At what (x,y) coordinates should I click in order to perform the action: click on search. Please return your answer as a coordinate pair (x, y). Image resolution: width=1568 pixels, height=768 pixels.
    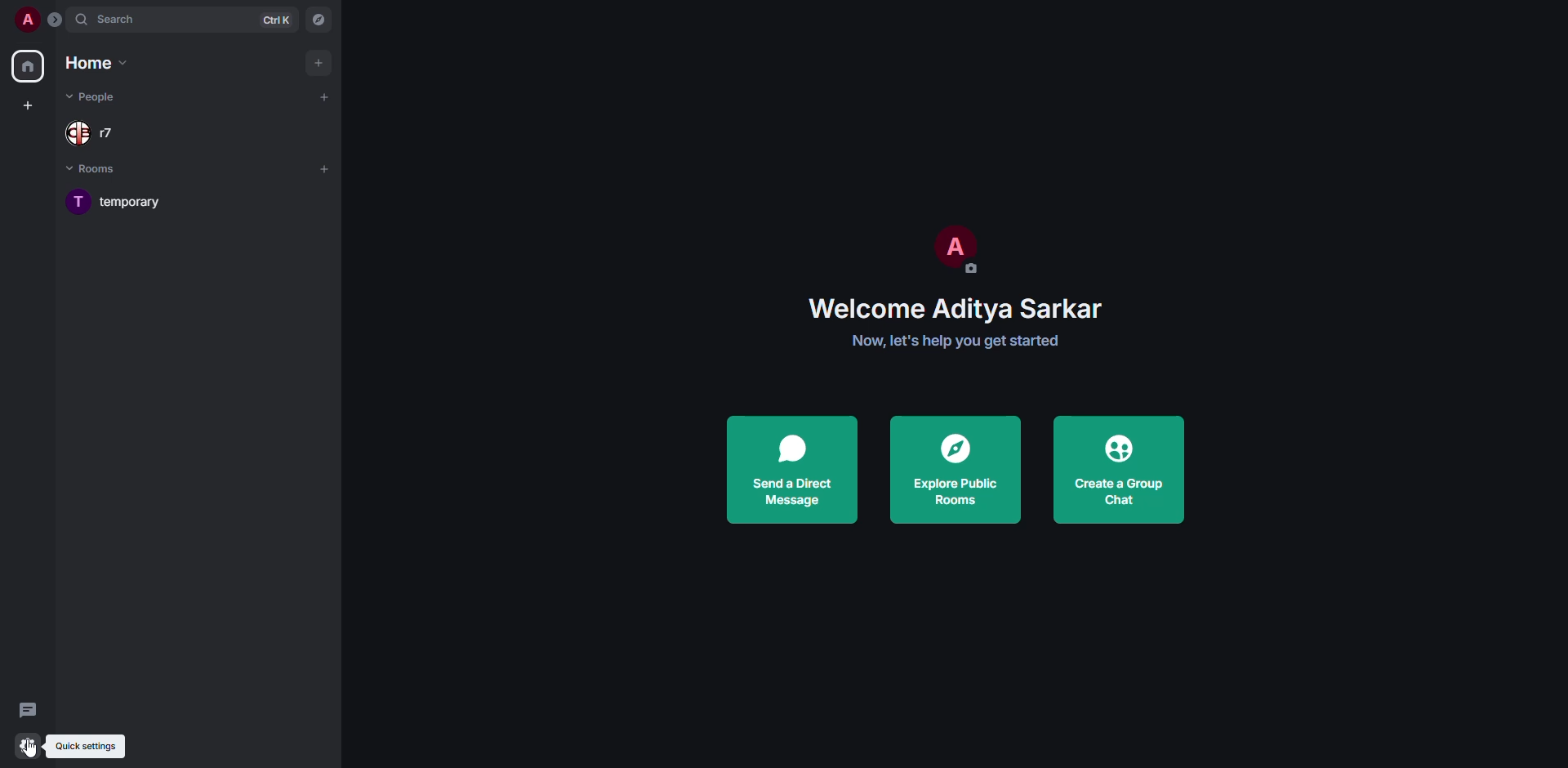
    Looking at the image, I should click on (158, 18).